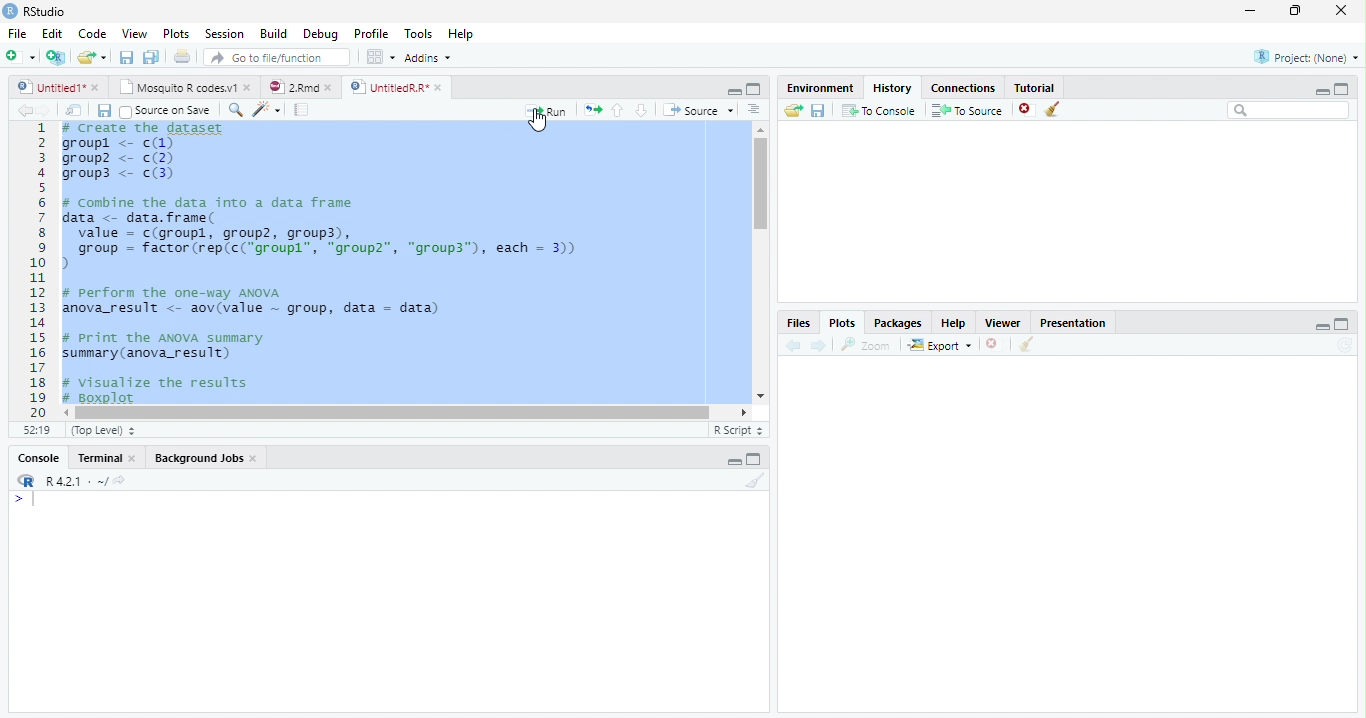  What do you see at coordinates (755, 461) in the screenshot?
I see `Maximize` at bounding box center [755, 461].